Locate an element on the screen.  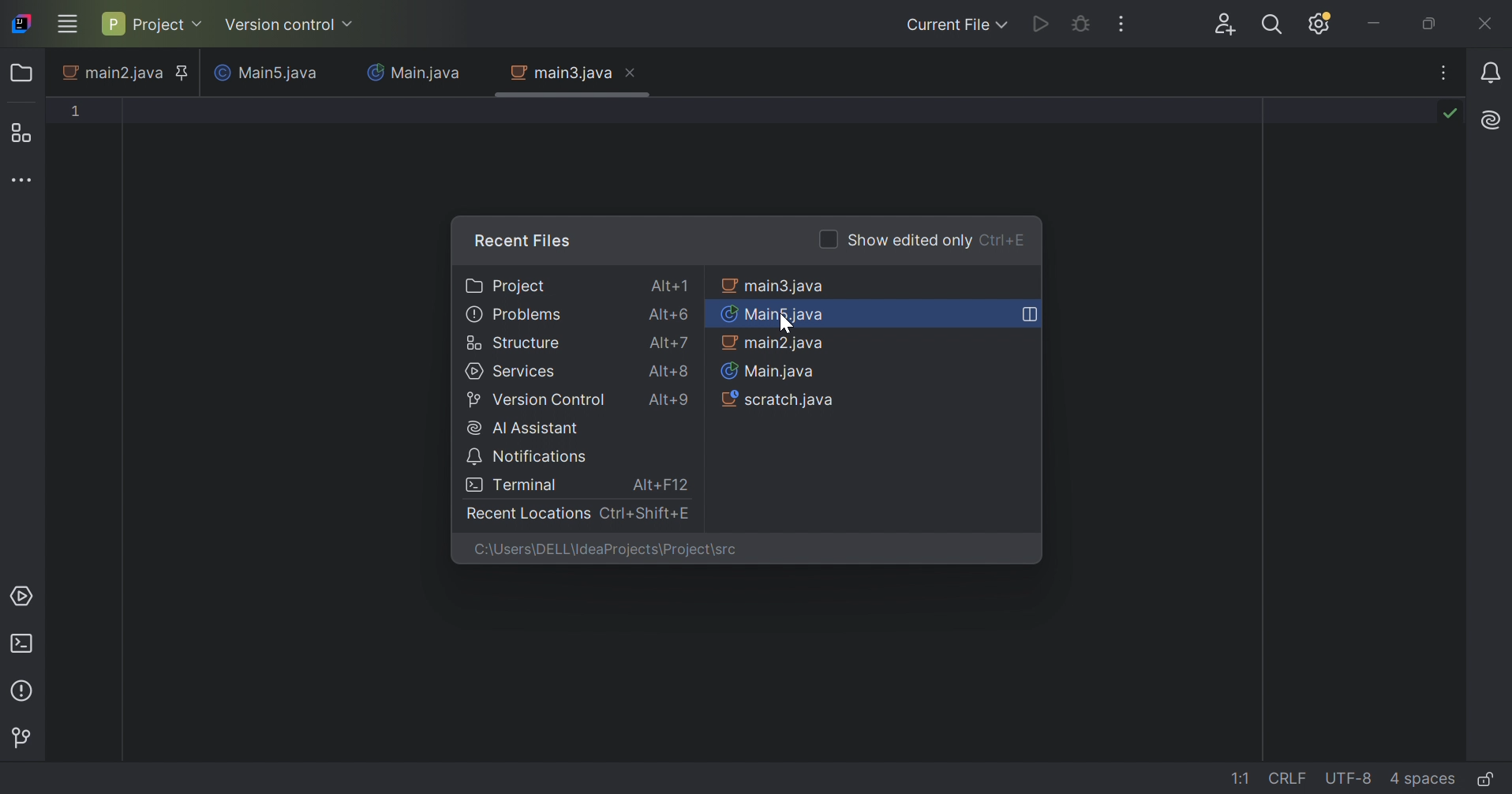
Terminal is located at coordinates (23, 643).